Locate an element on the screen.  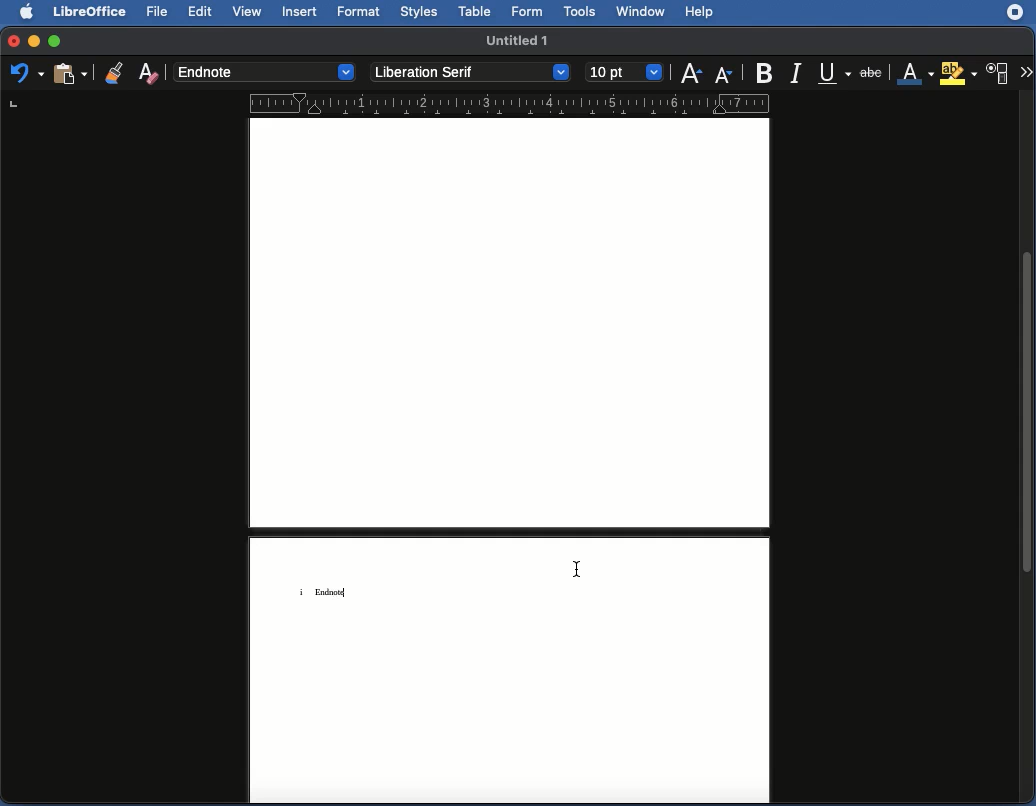
Highlighting color is located at coordinates (957, 73).